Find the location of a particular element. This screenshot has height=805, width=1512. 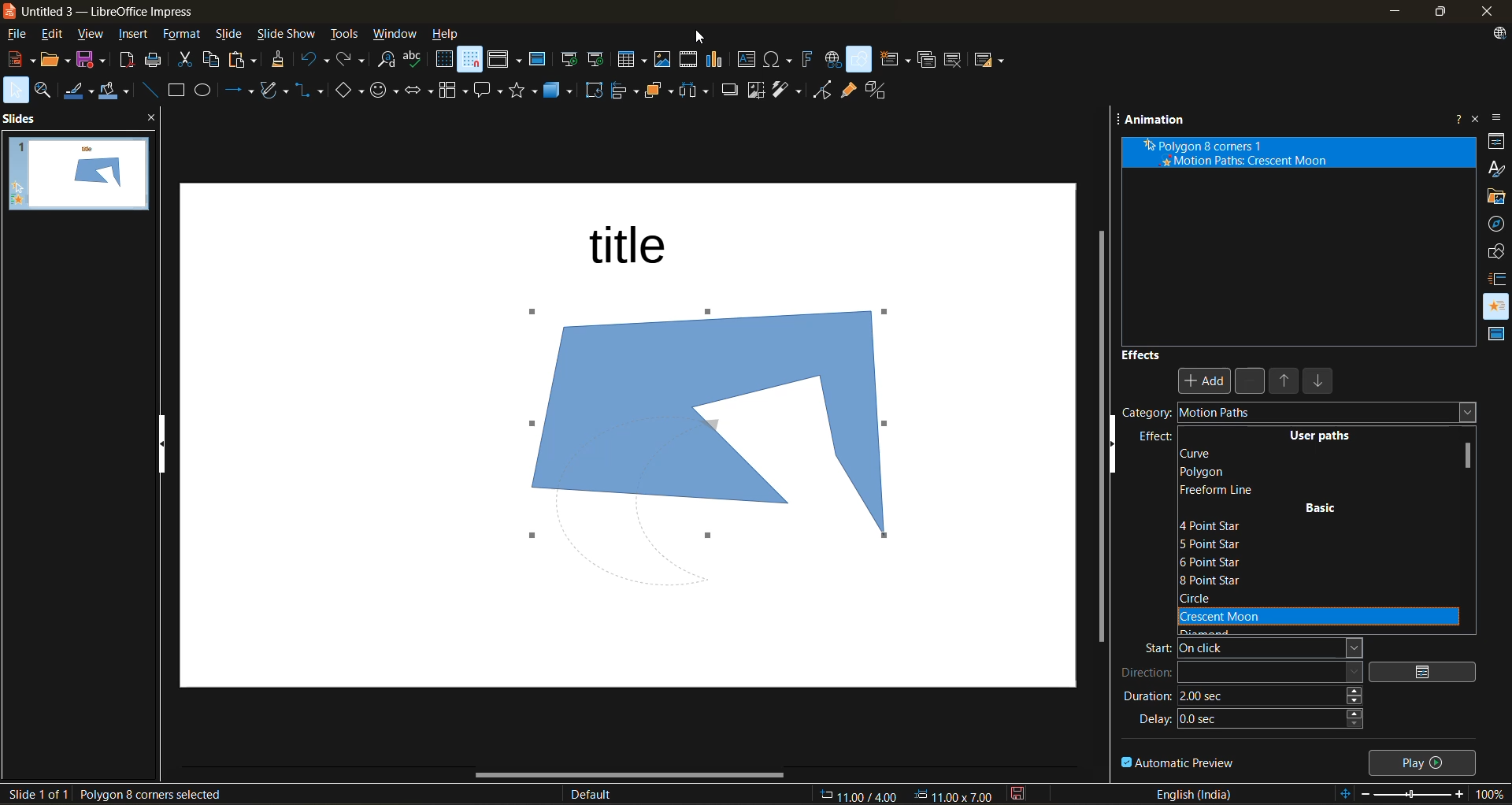

start from first slide is located at coordinates (567, 59).